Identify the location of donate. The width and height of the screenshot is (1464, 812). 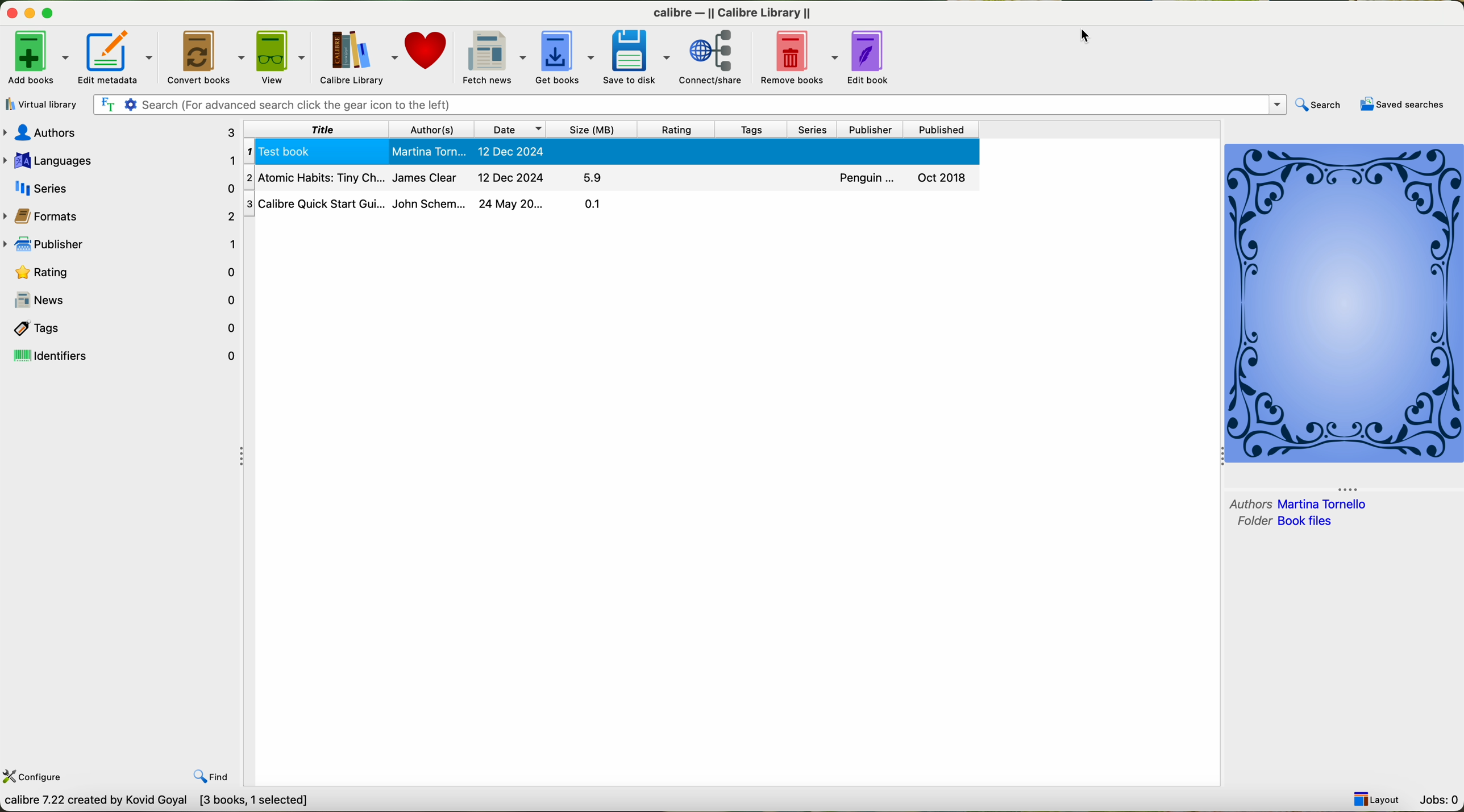
(428, 52).